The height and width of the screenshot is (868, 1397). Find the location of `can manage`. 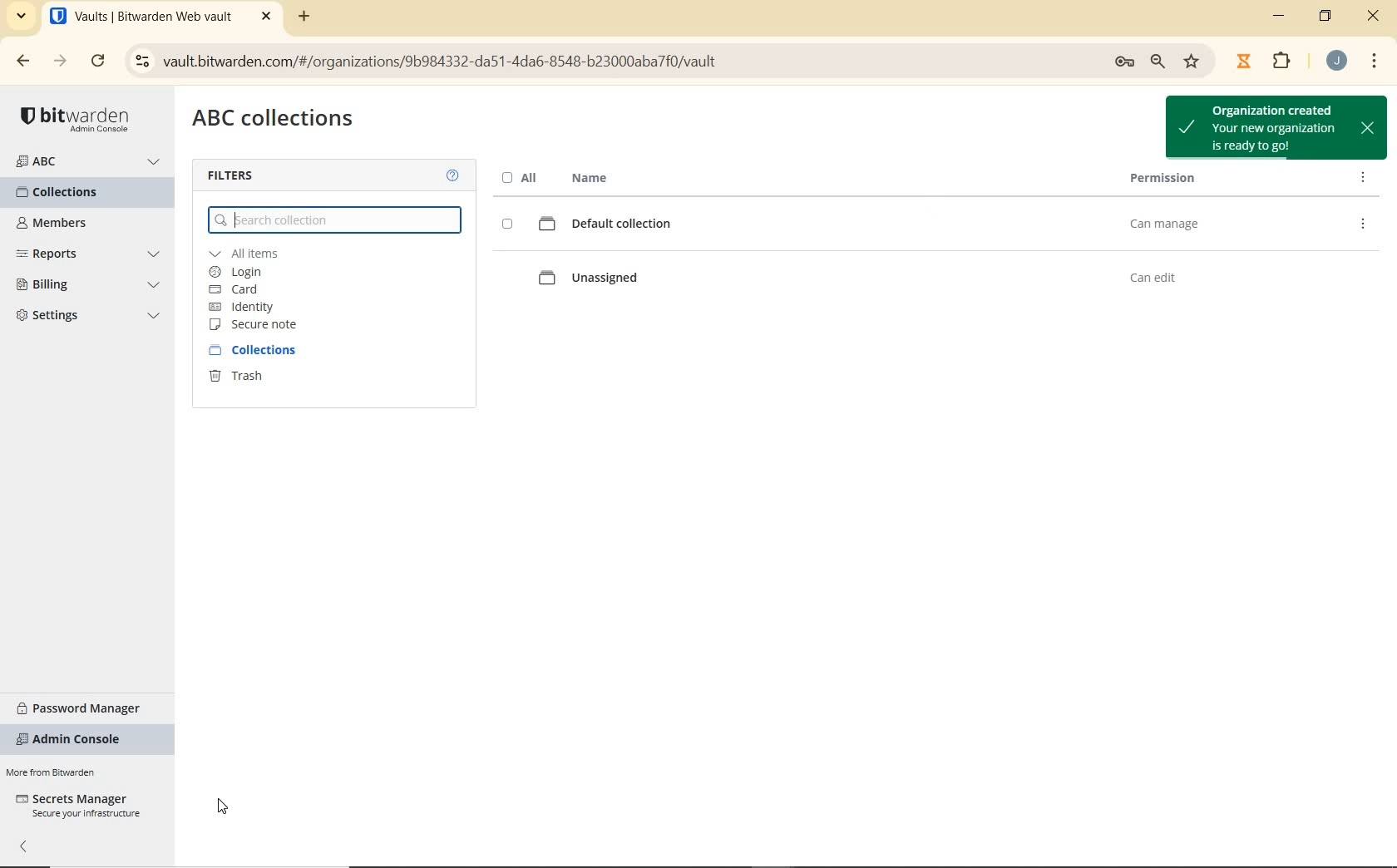

can manage is located at coordinates (1164, 223).